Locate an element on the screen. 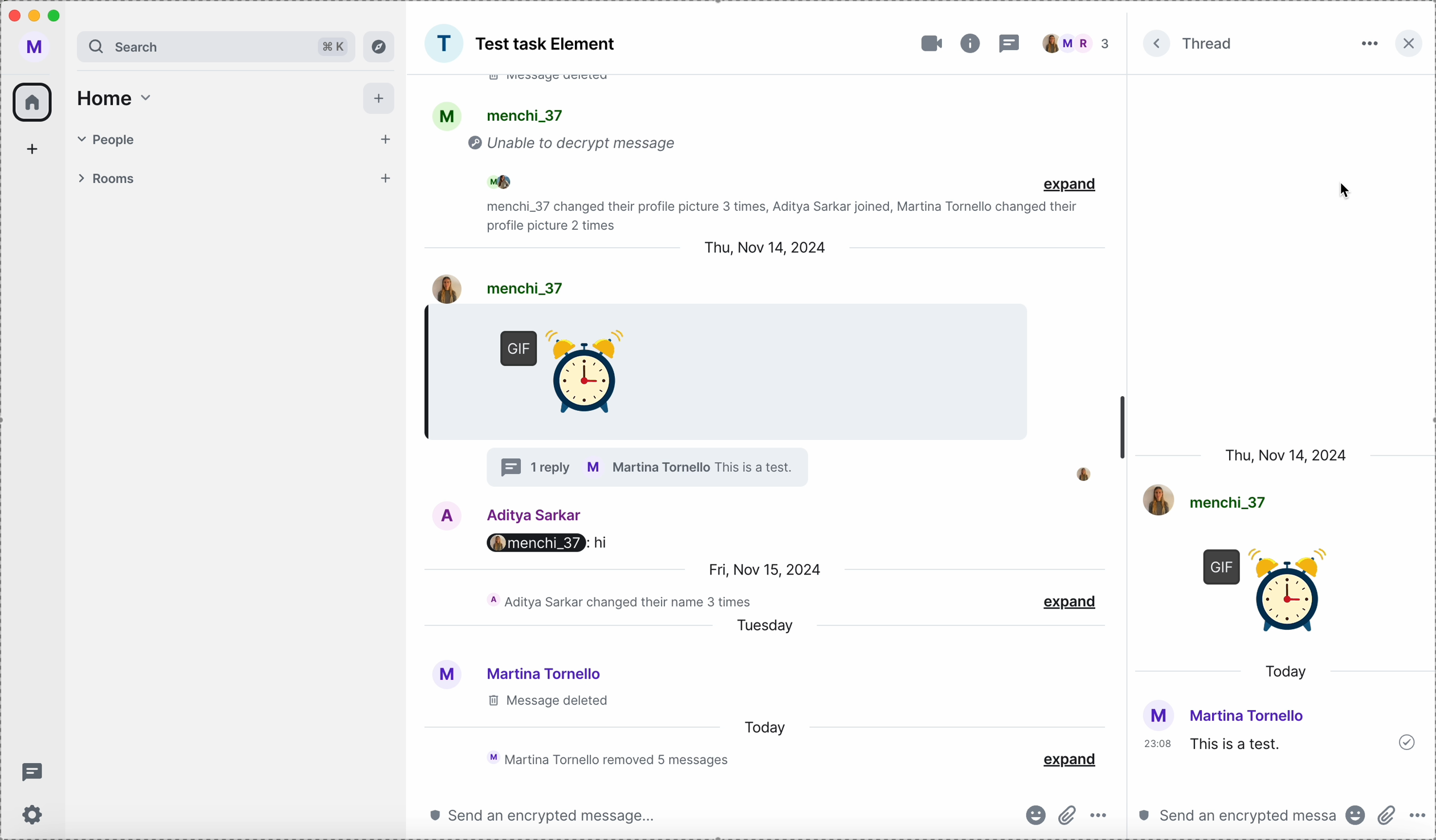 The width and height of the screenshot is (1436, 840). Aditya's message is located at coordinates (549, 545).